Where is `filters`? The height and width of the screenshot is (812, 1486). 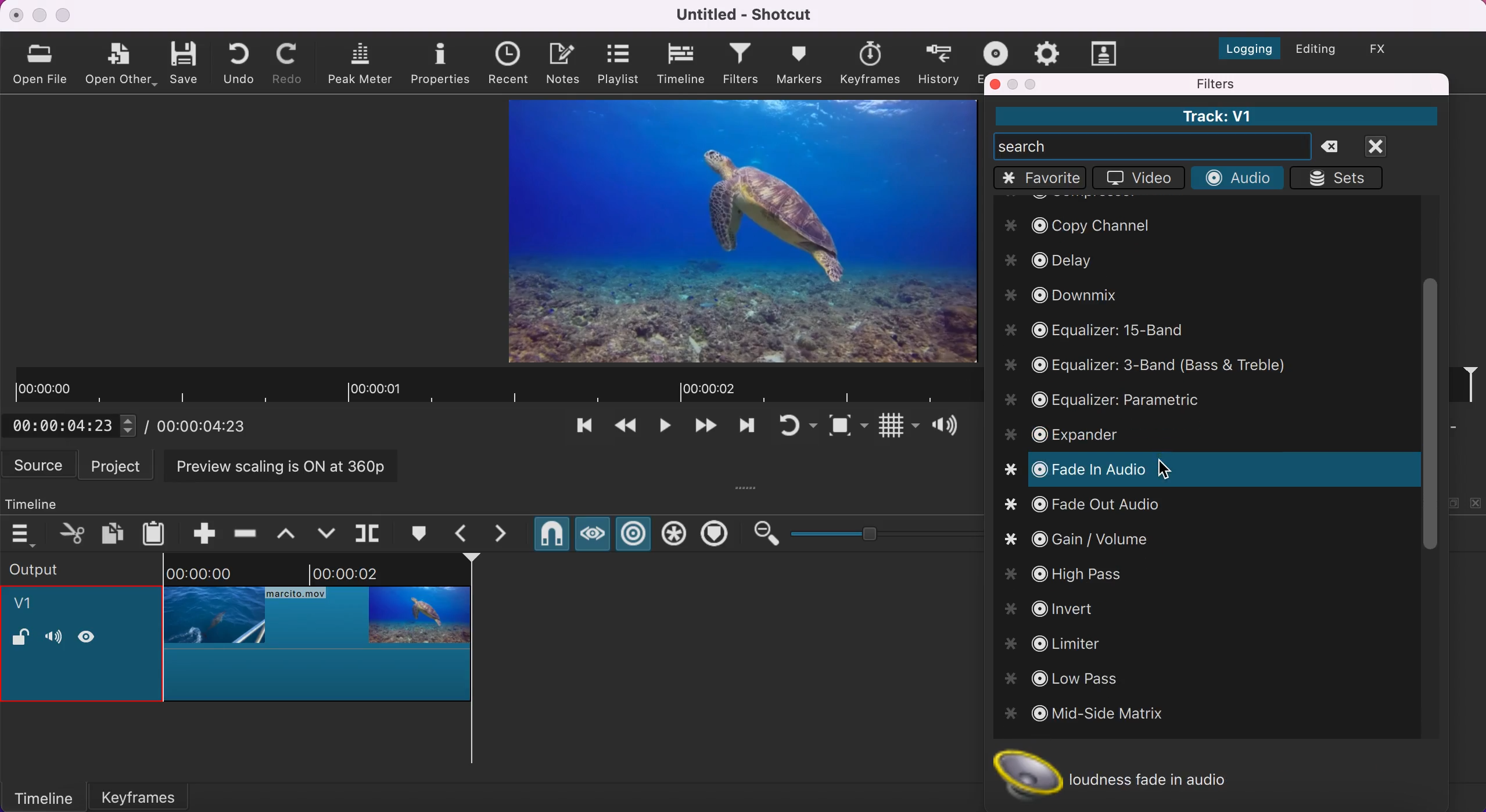 filters is located at coordinates (742, 65).